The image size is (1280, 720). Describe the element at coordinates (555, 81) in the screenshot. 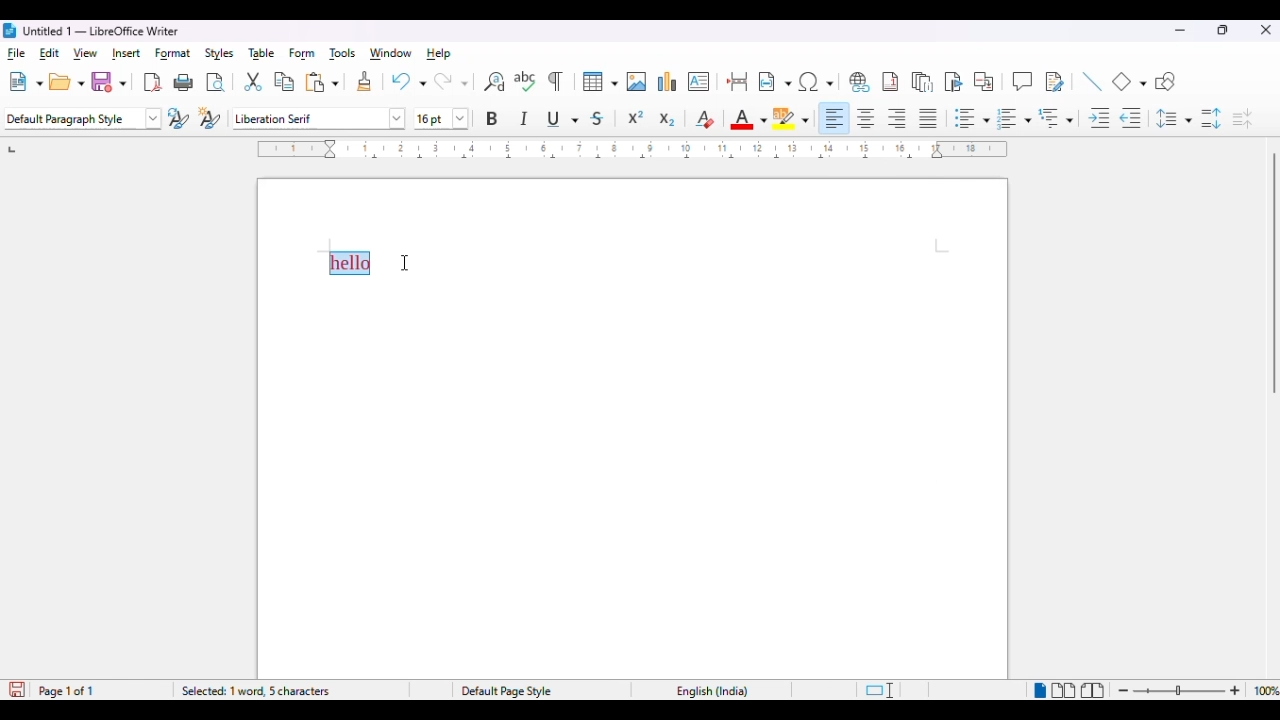

I see `toggle formatting marks` at that location.